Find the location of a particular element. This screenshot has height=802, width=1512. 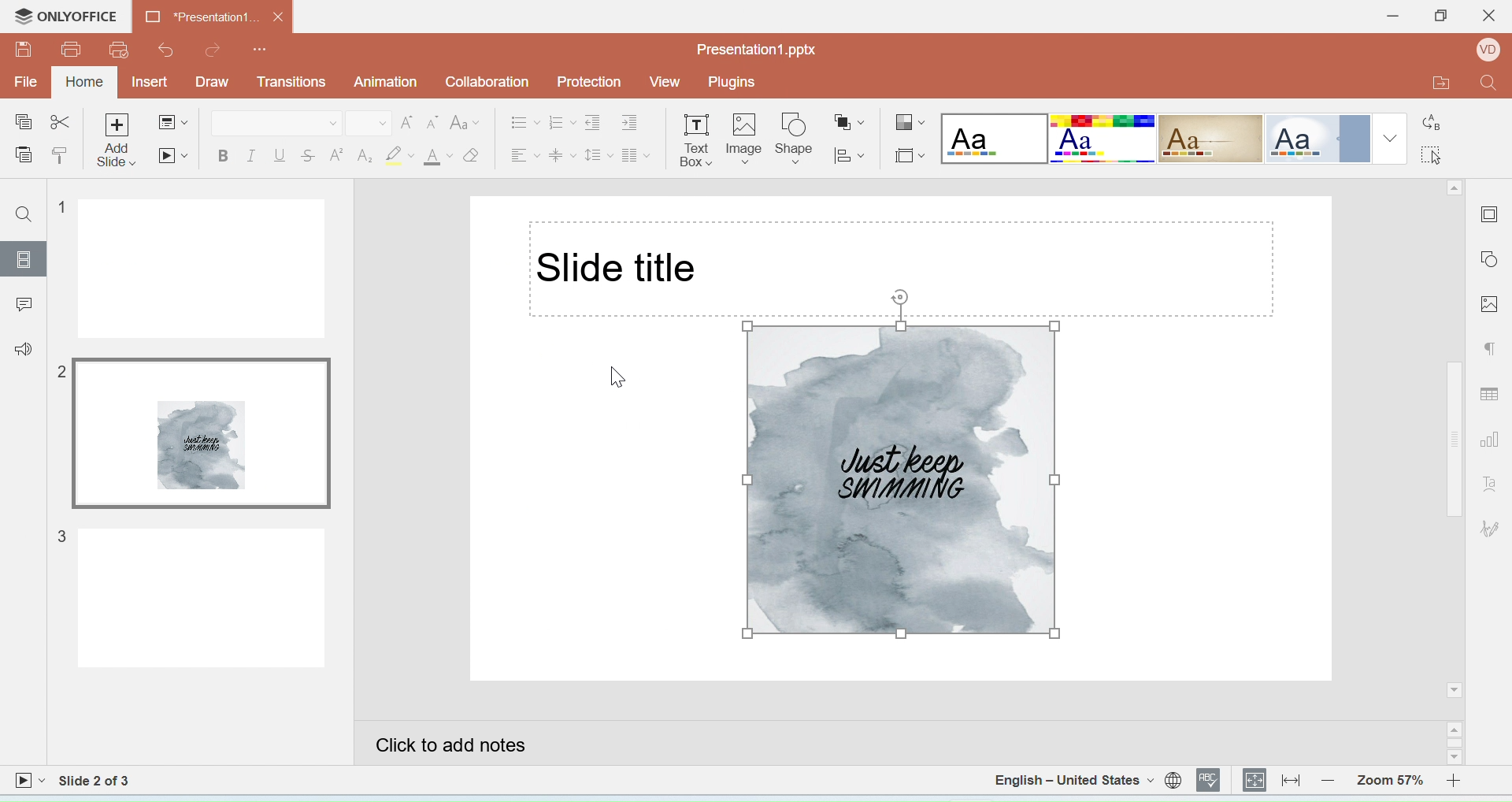

cursor is located at coordinates (615, 377).